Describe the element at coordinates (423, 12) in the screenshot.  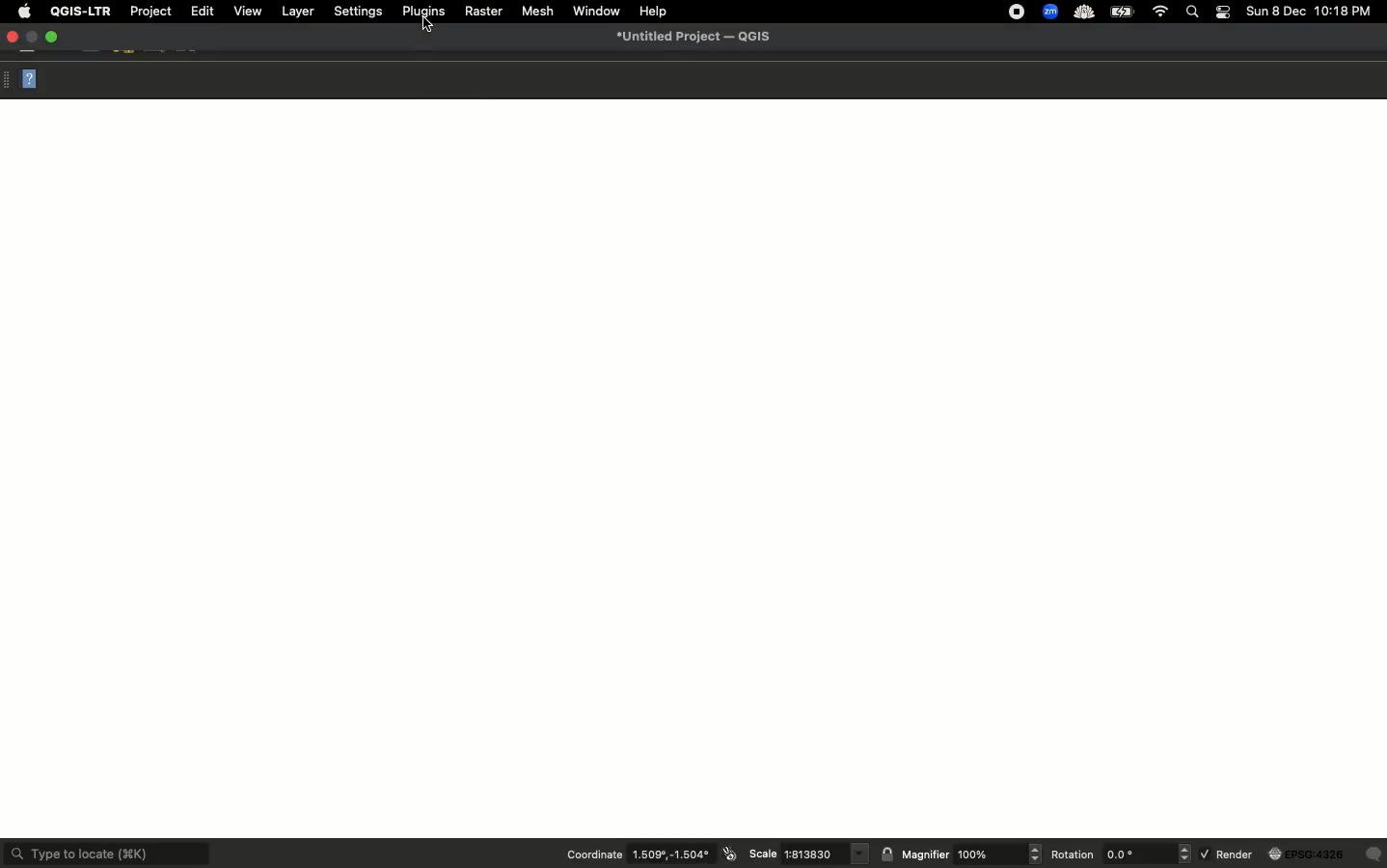
I see `Plugins` at that location.